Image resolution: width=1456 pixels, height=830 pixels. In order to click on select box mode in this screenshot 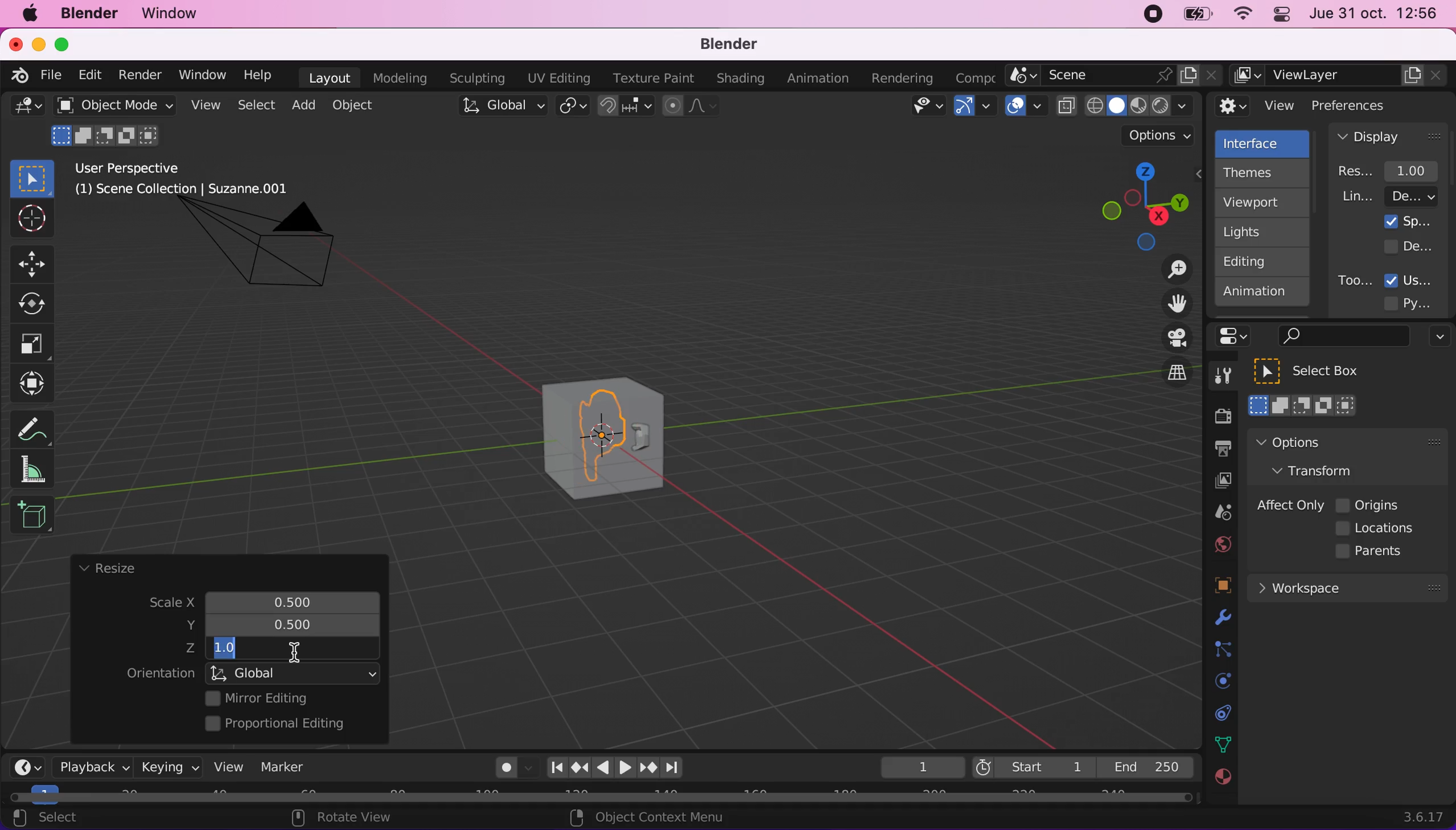, I will do `click(1303, 405)`.